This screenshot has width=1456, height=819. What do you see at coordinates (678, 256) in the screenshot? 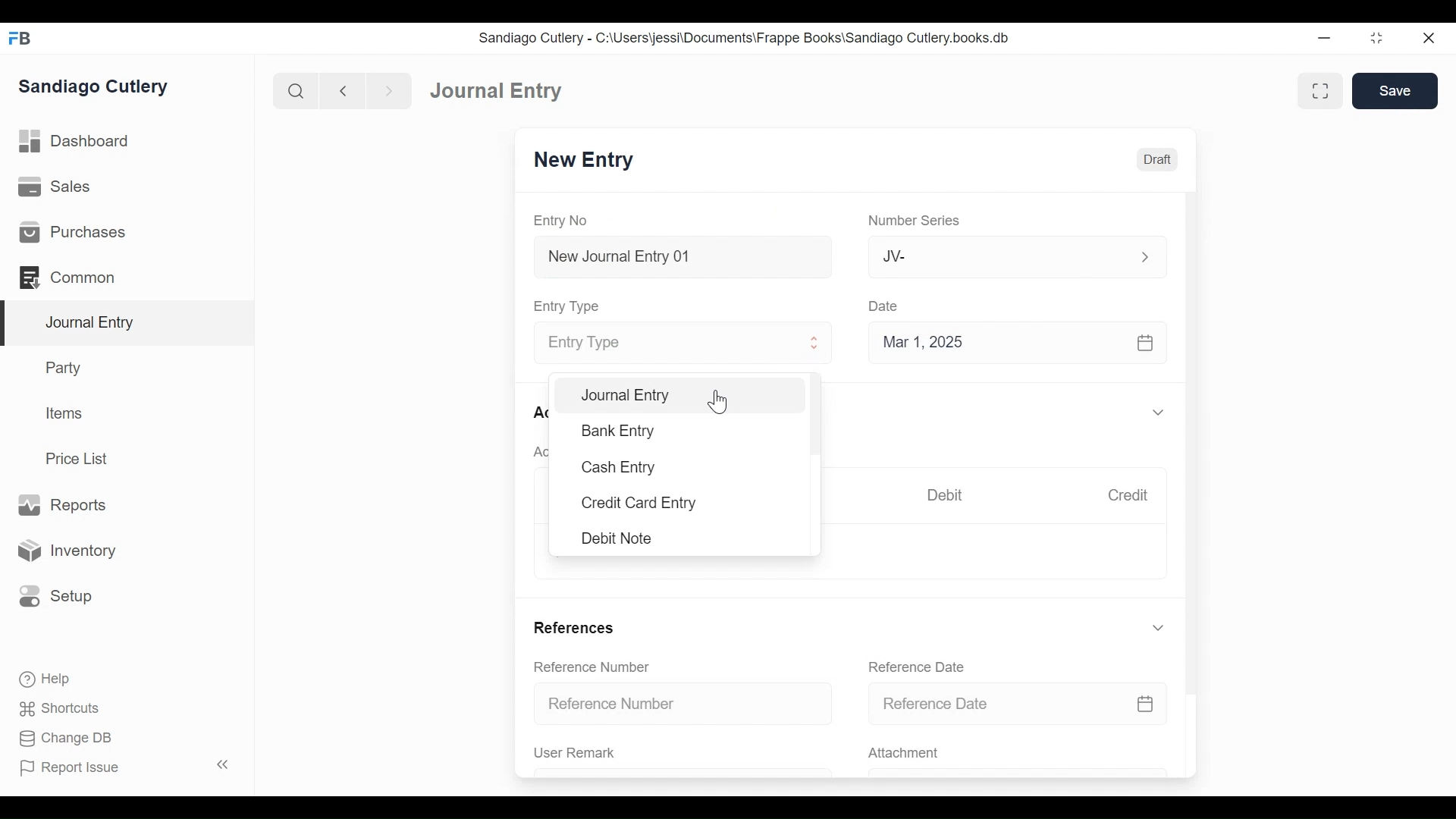
I see `New Journal Entry 01` at bounding box center [678, 256].